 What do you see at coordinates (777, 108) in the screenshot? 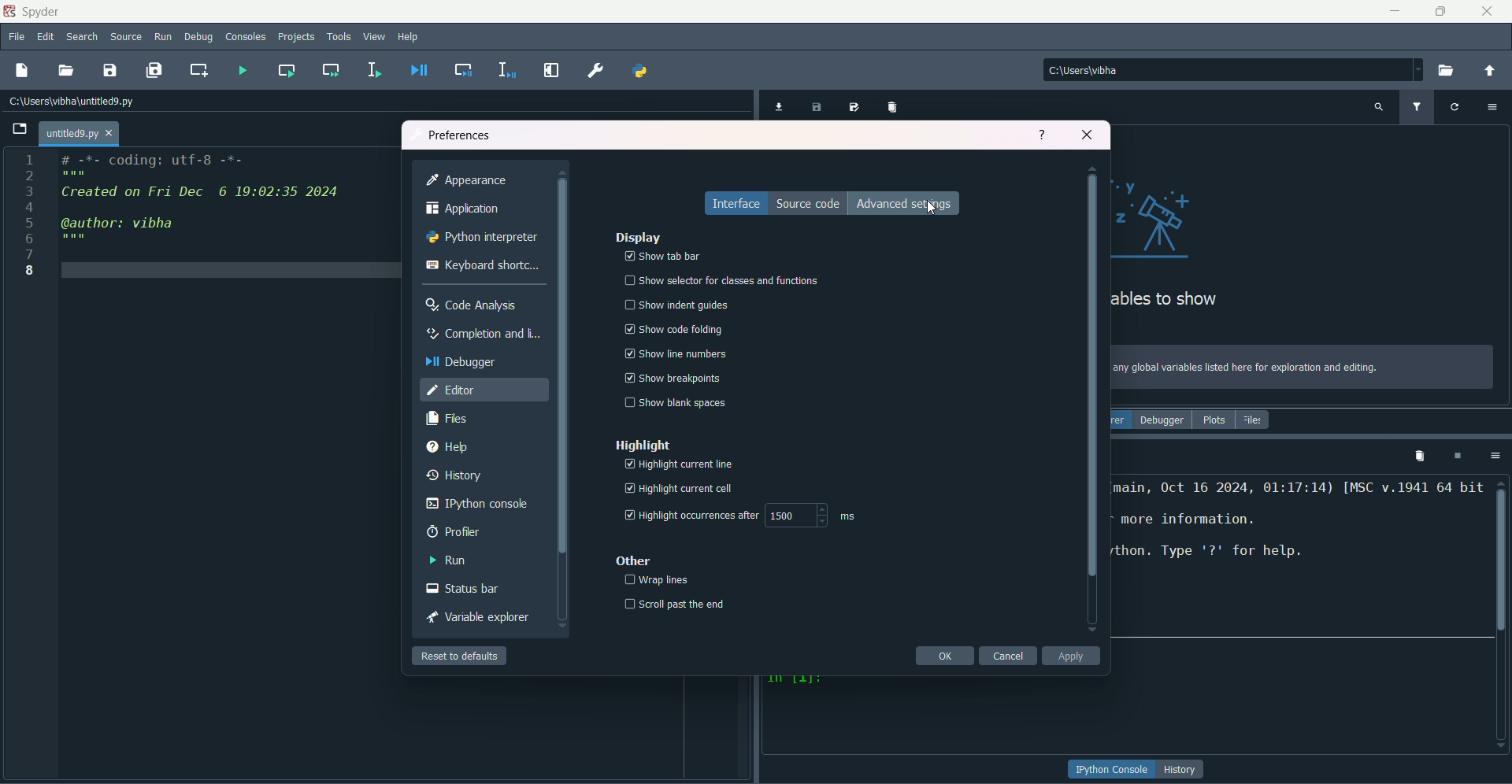
I see `import data` at bounding box center [777, 108].